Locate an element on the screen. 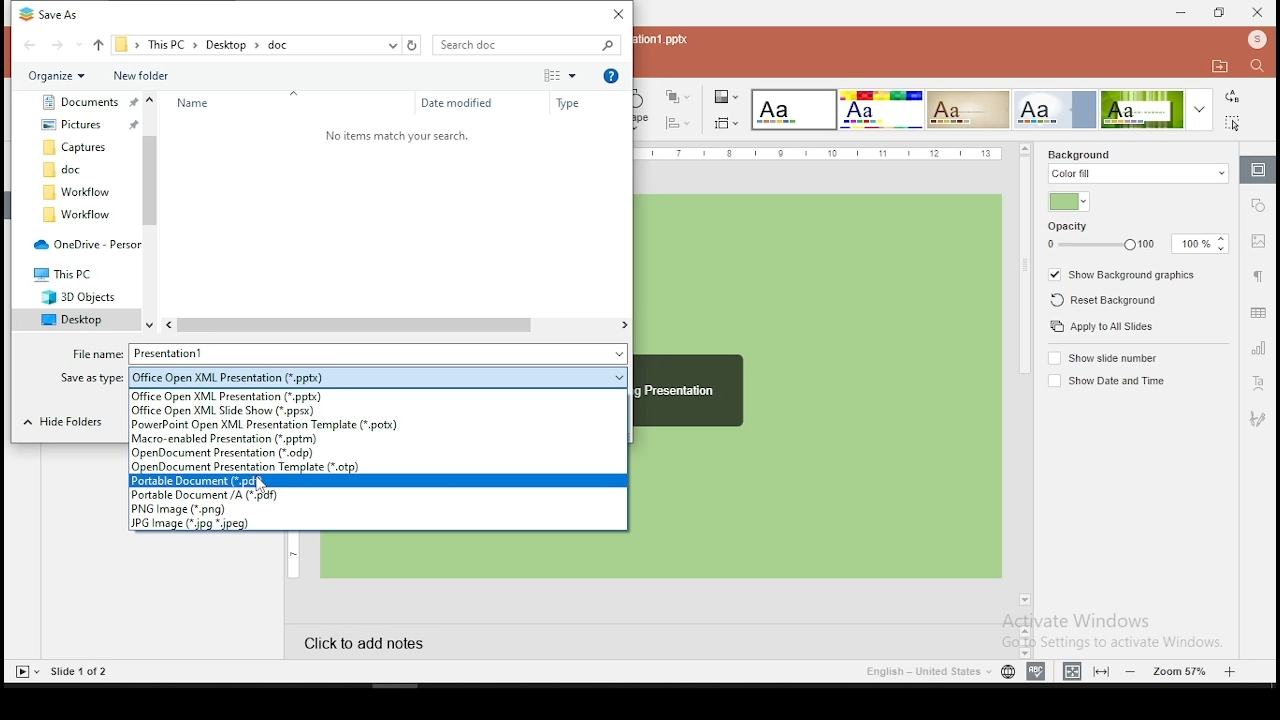 The width and height of the screenshot is (1280, 720). Scrollbar is located at coordinates (1023, 639).